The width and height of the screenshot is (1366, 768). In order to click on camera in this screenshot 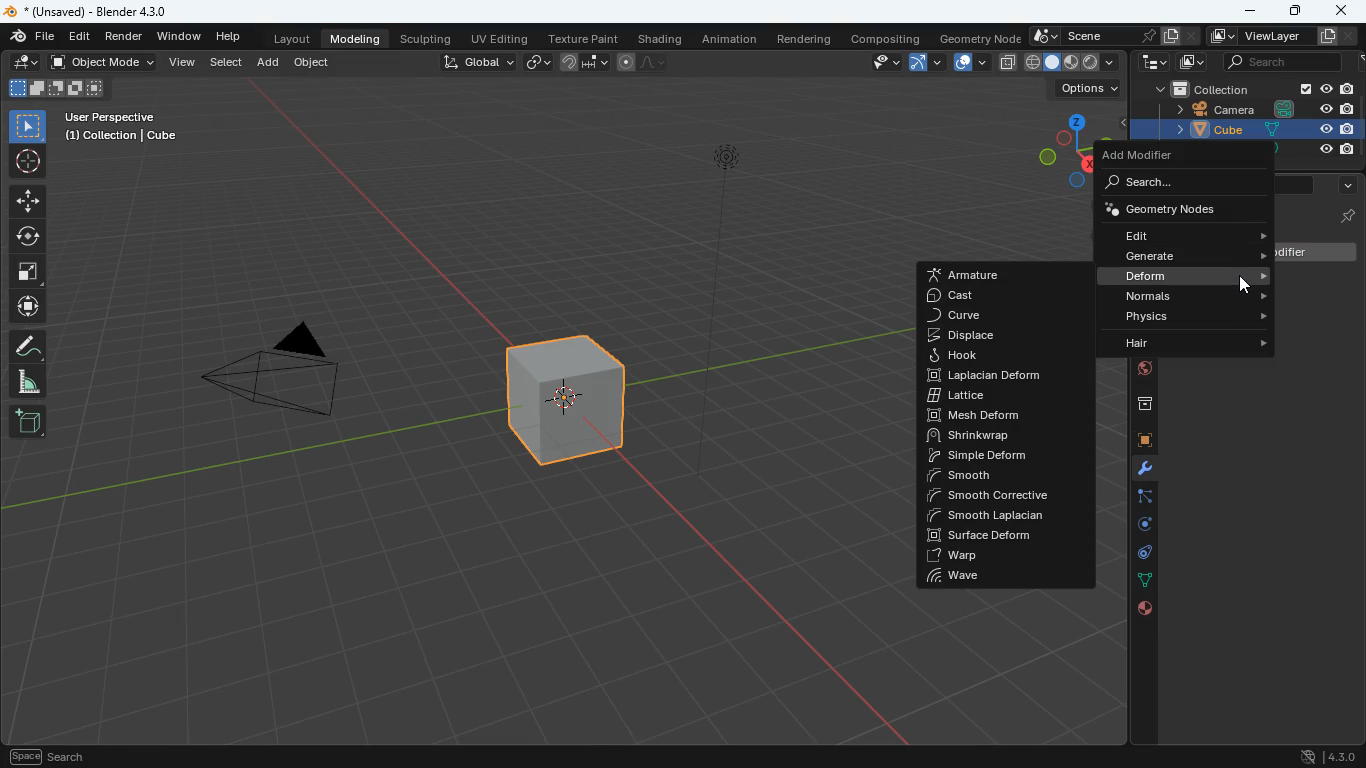, I will do `click(1255, 112)`.